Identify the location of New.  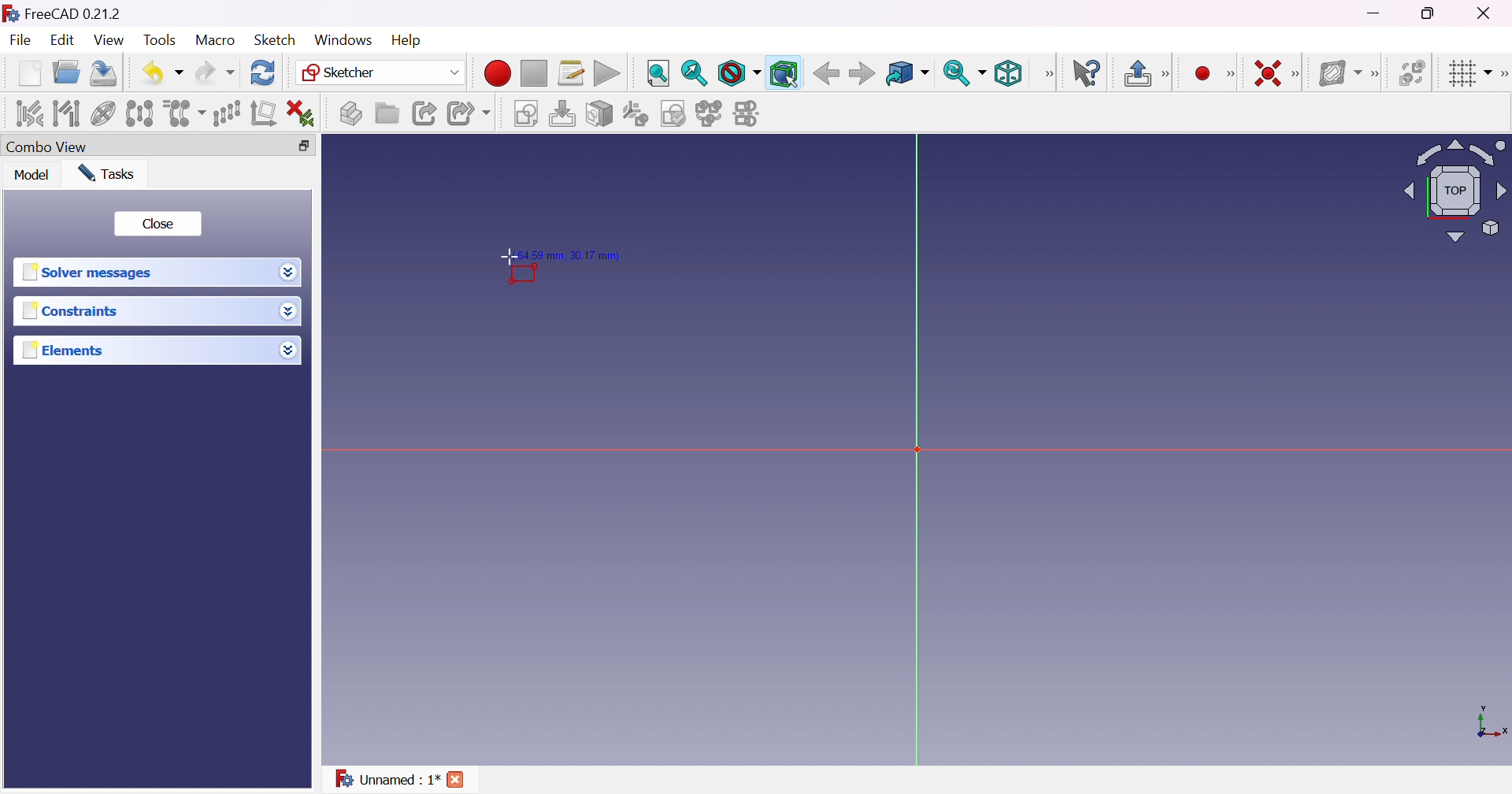
(29, 73).